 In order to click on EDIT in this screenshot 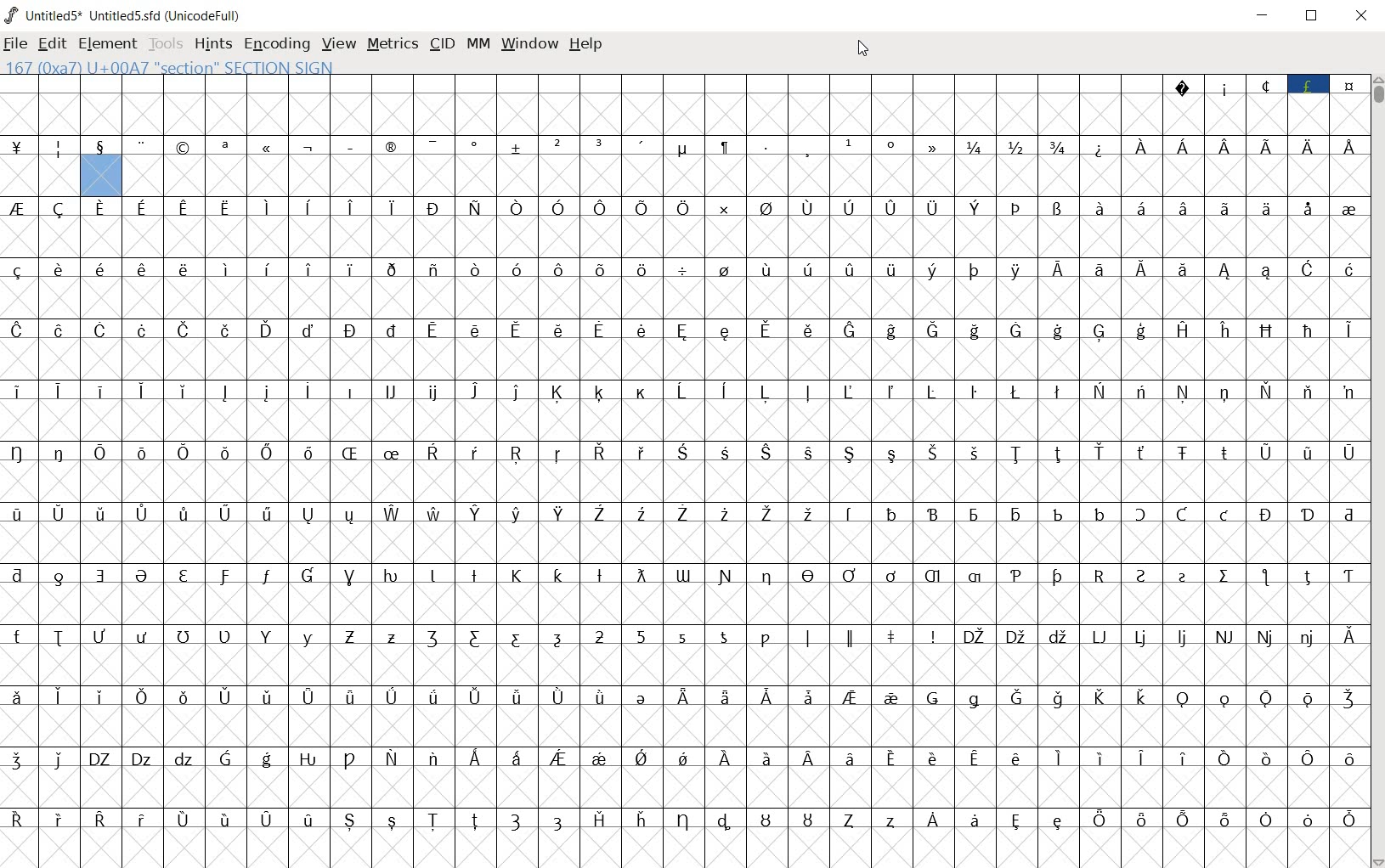, I will do `click(52, 45)`.